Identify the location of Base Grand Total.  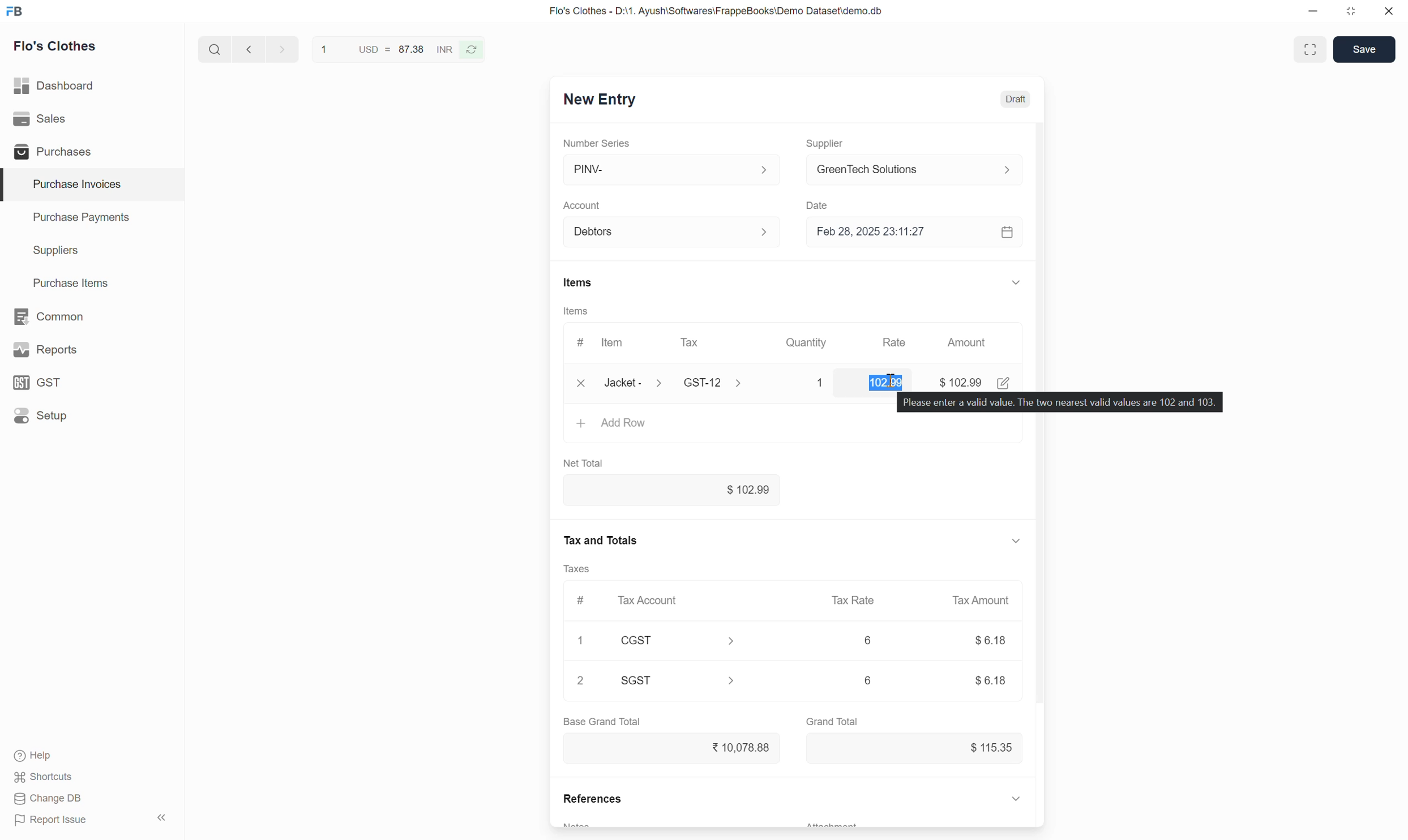
(602, 722).